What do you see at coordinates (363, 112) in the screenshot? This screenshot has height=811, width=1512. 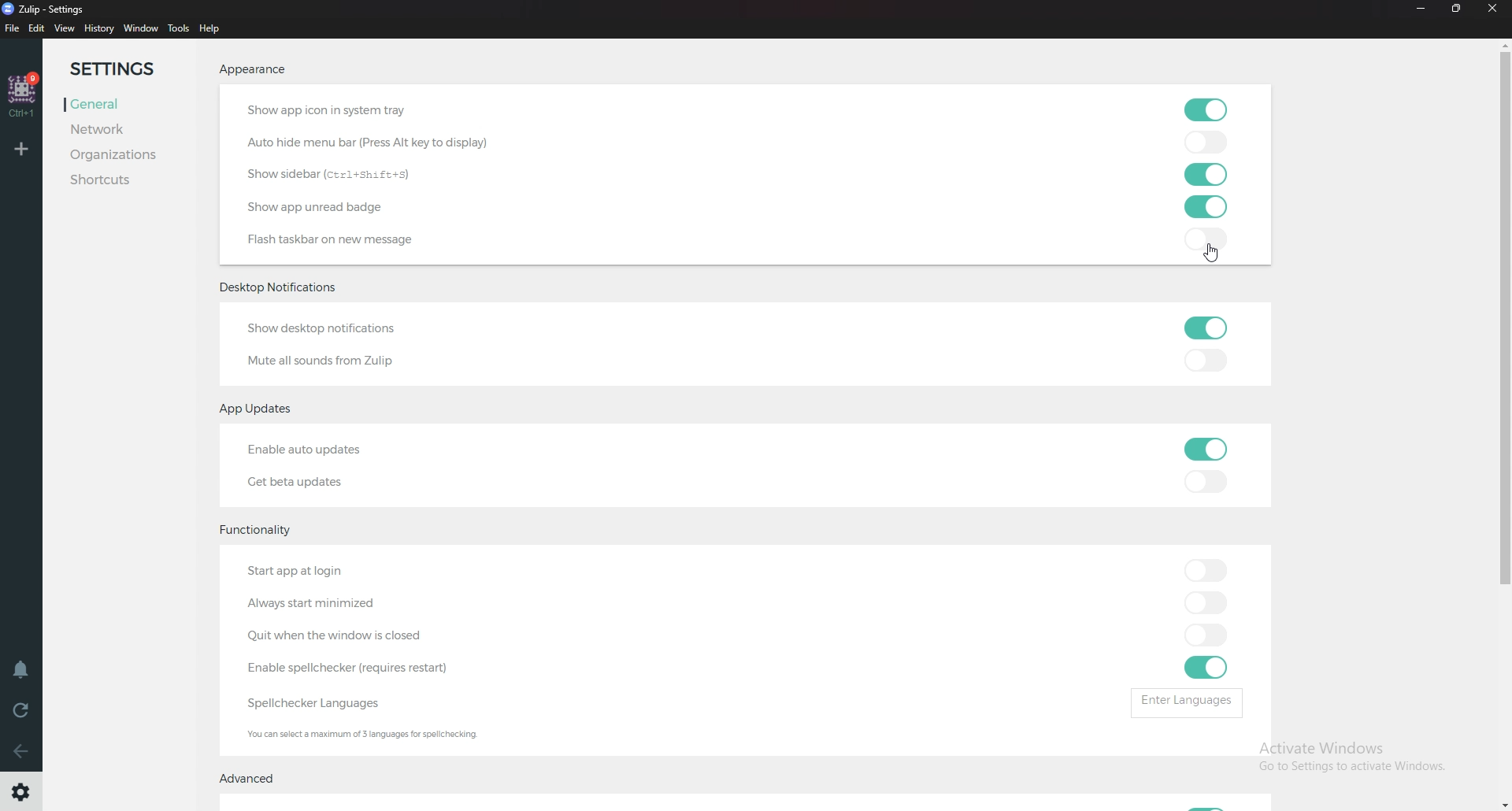 I see `Show app icon in system tray` at bounding box center [363, 112].